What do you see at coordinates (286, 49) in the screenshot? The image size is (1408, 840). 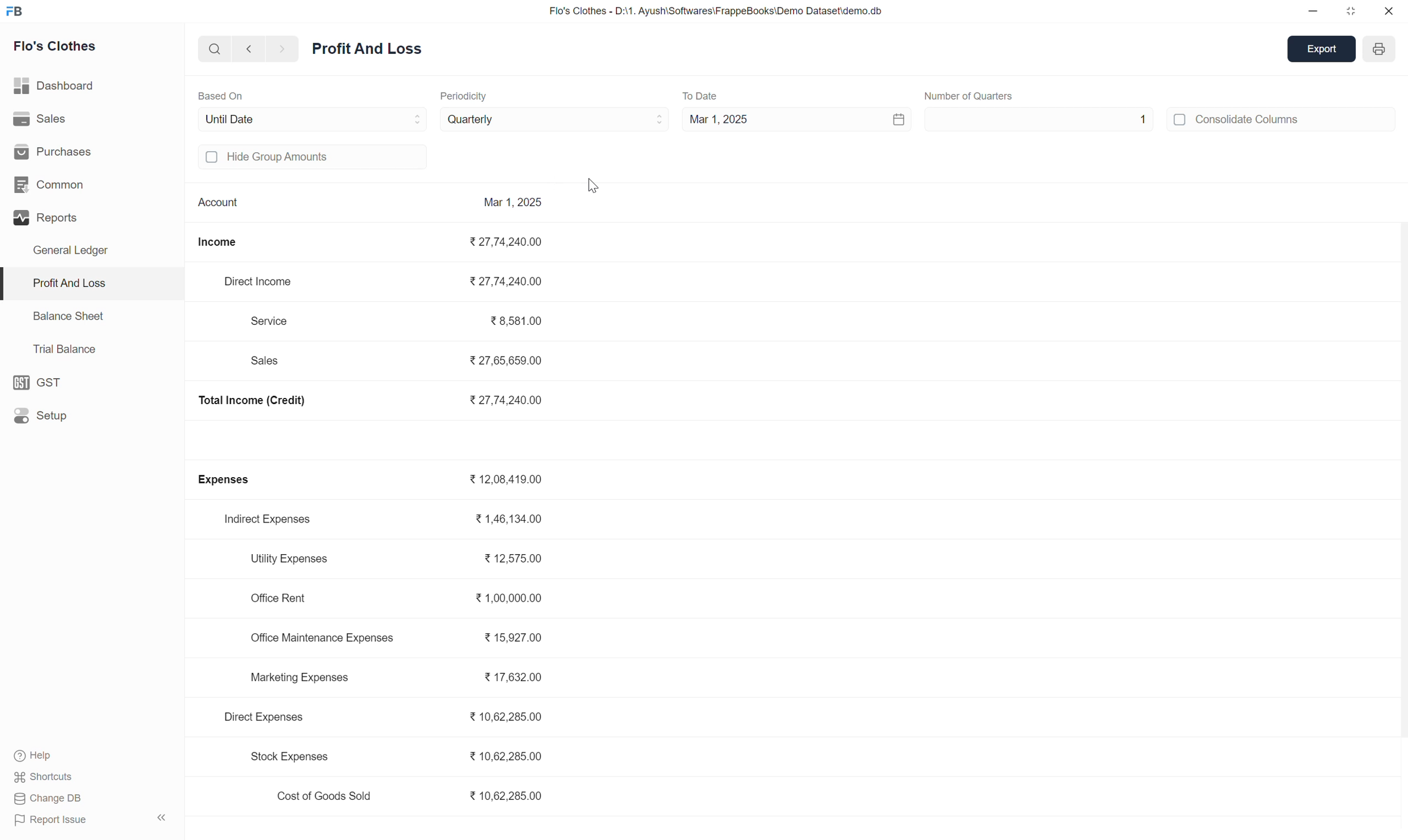 I see `next` at bounding box center [286, 49].